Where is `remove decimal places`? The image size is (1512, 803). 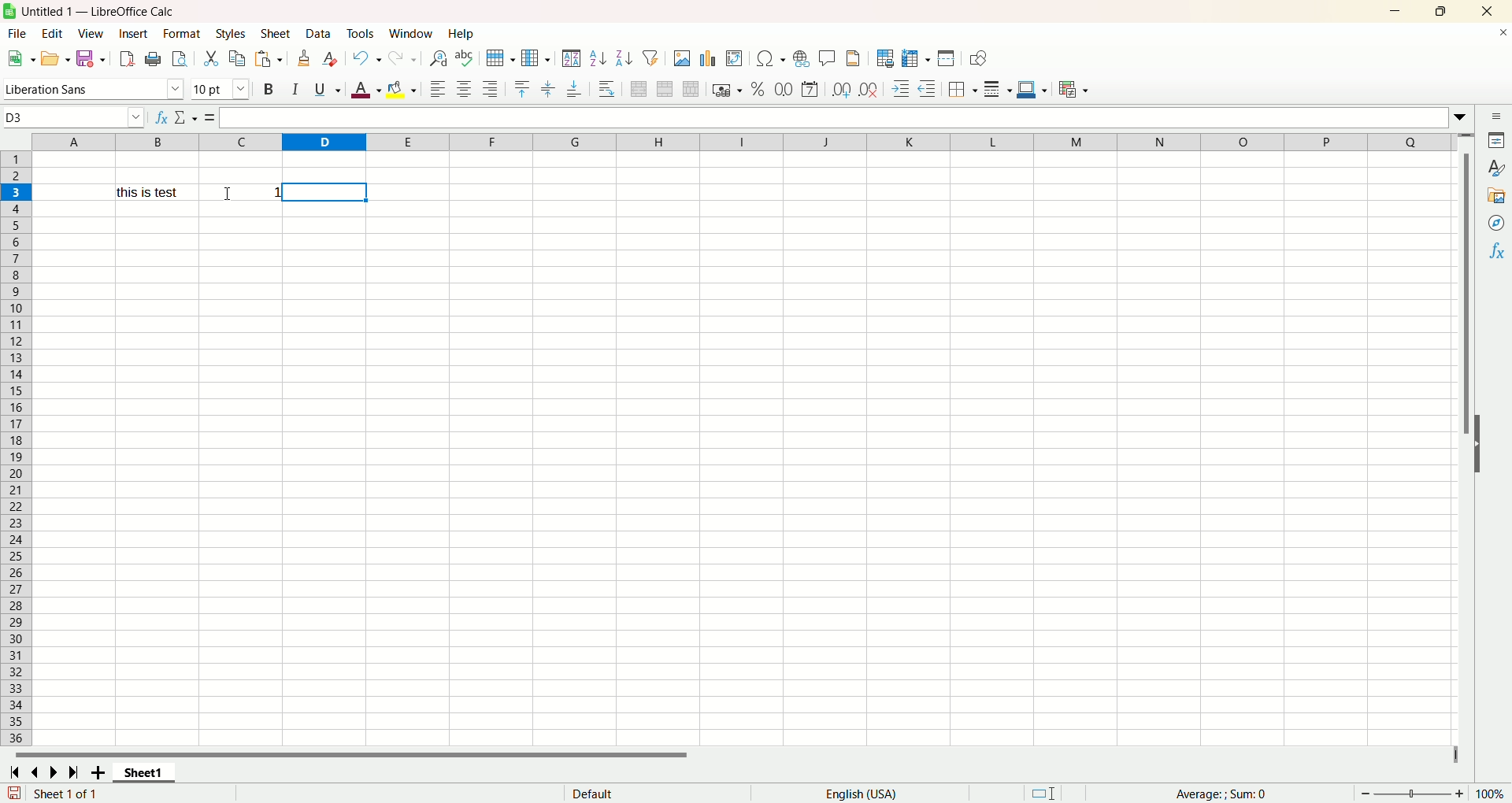 remove decimal places is located at coordinates (869, 87).